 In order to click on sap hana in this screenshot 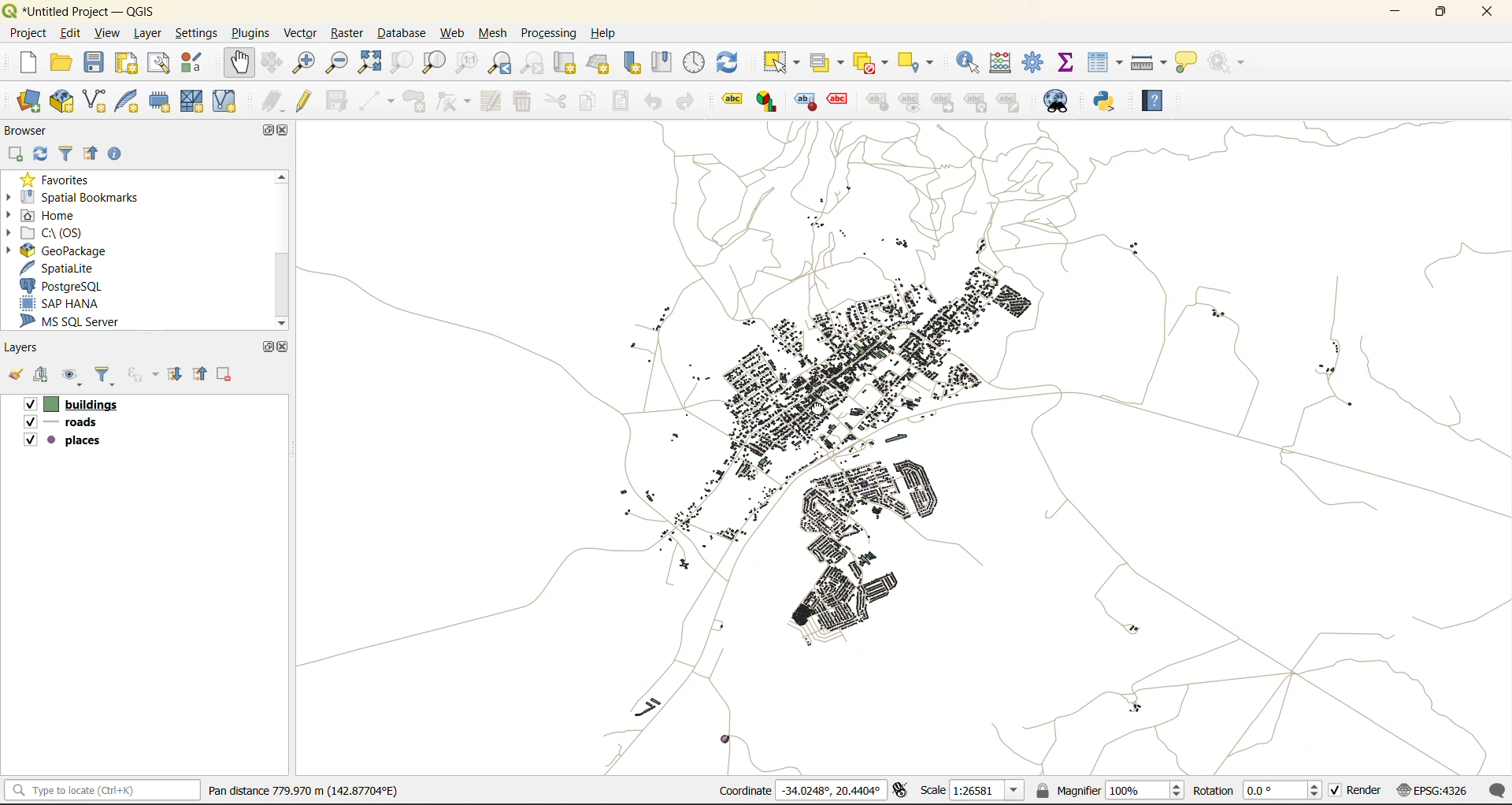, I will do `click(65, 304)`.